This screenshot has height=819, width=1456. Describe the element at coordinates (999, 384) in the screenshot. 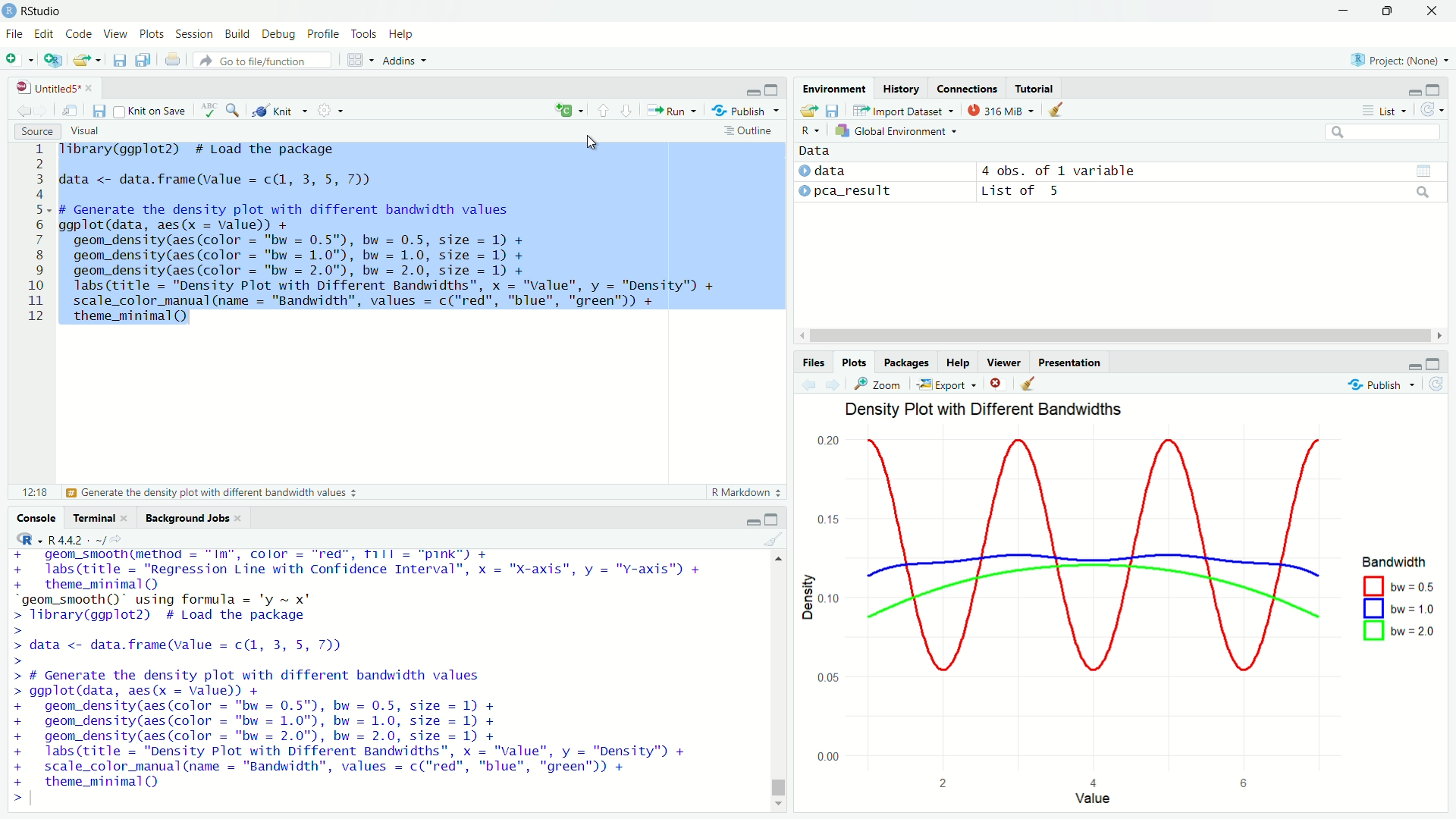

I see `Remove current plot` at that location.